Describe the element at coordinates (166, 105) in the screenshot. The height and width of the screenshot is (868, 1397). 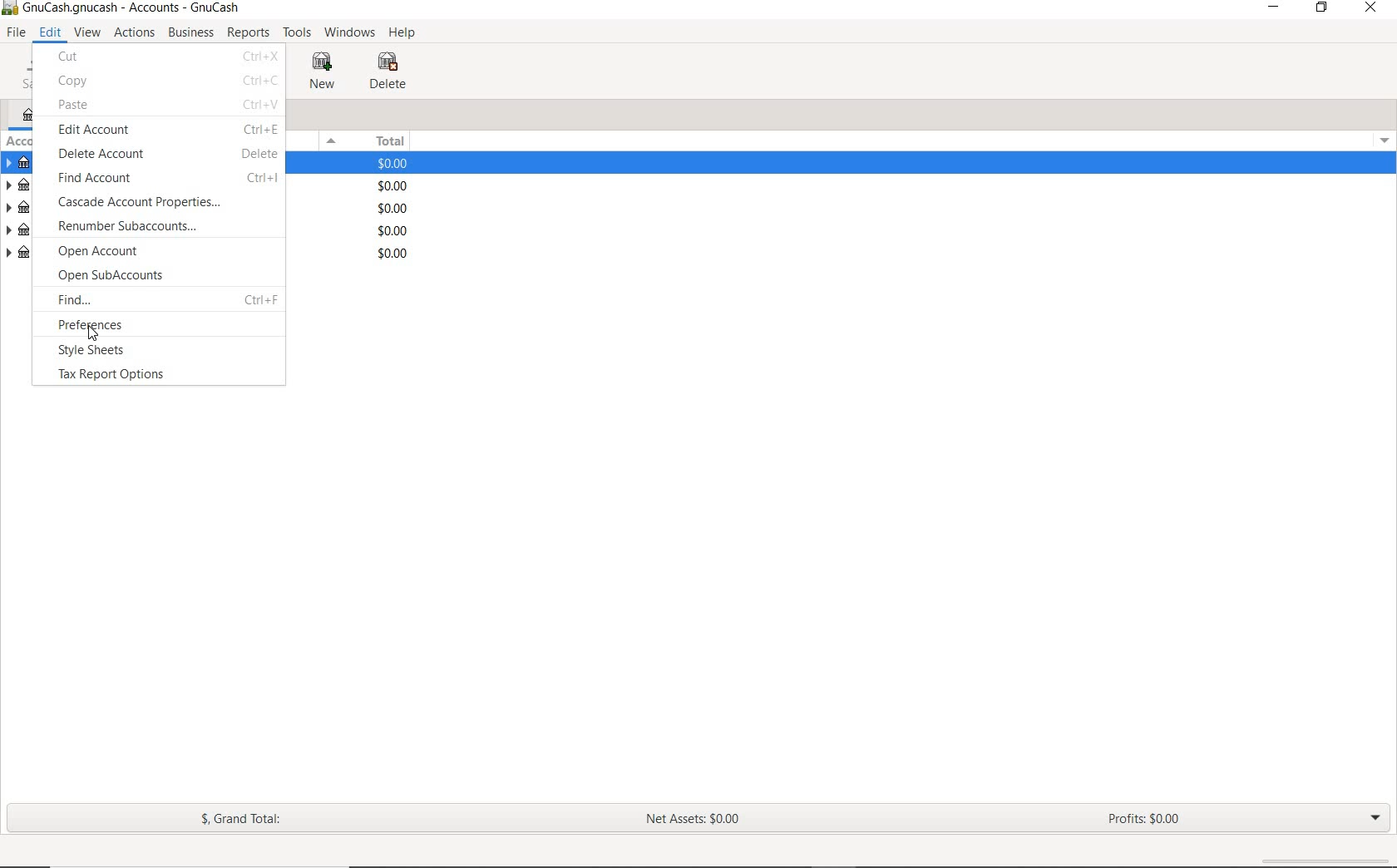
I see `PASTE` at that location.